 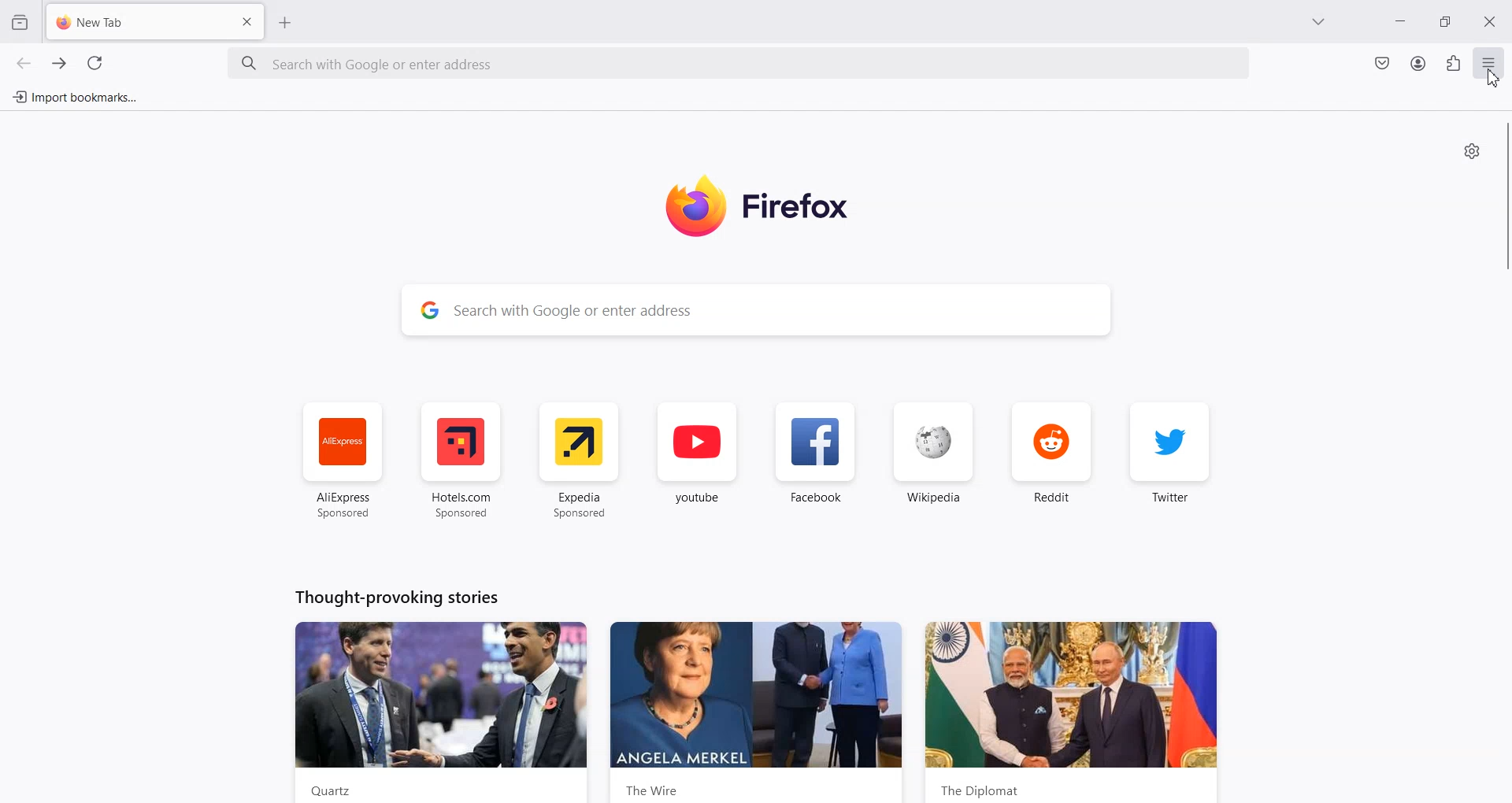 I want to click on youtube, so click(x=700, y=459).